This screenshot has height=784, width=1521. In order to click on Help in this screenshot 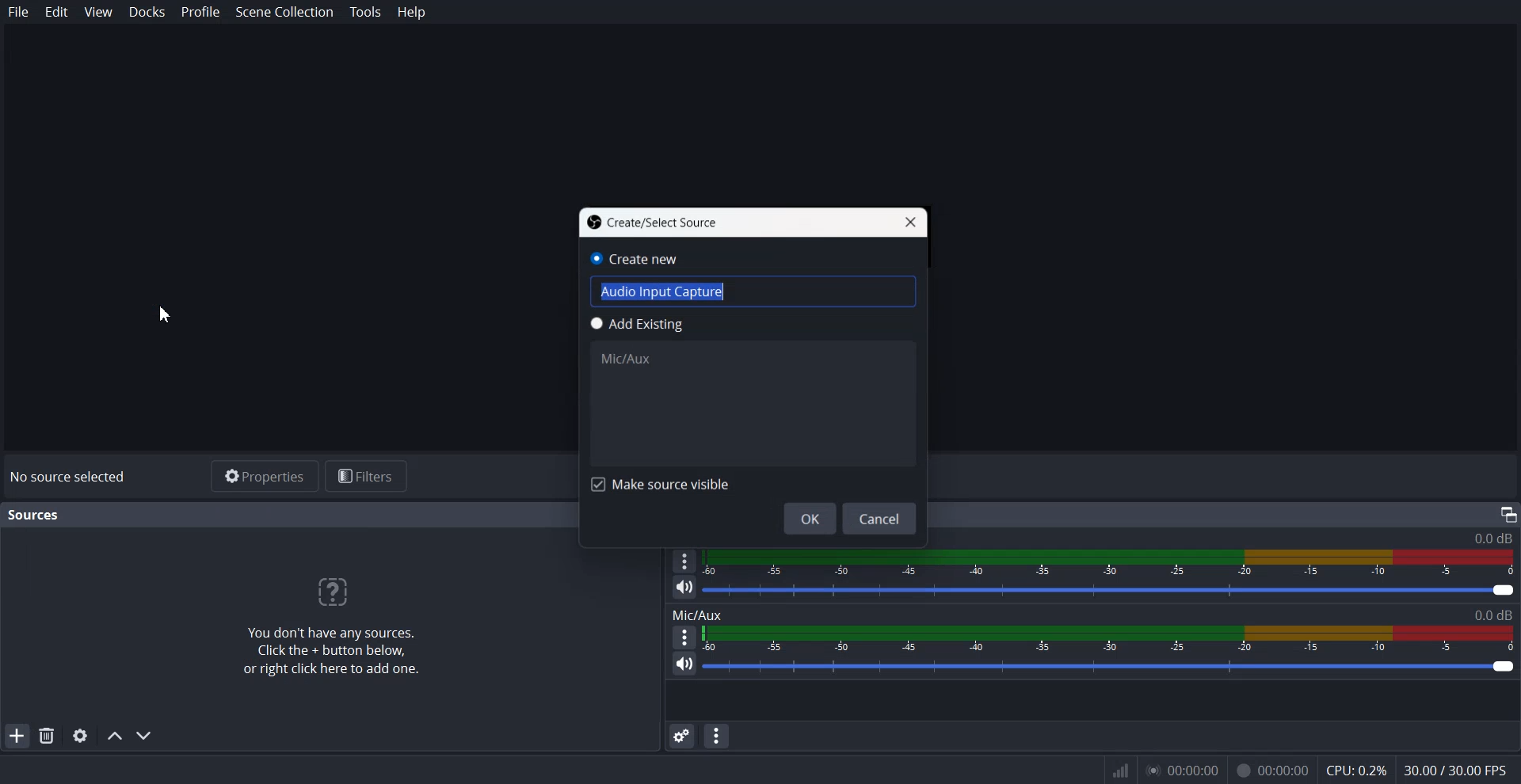, I will do `click(411, 12)`.